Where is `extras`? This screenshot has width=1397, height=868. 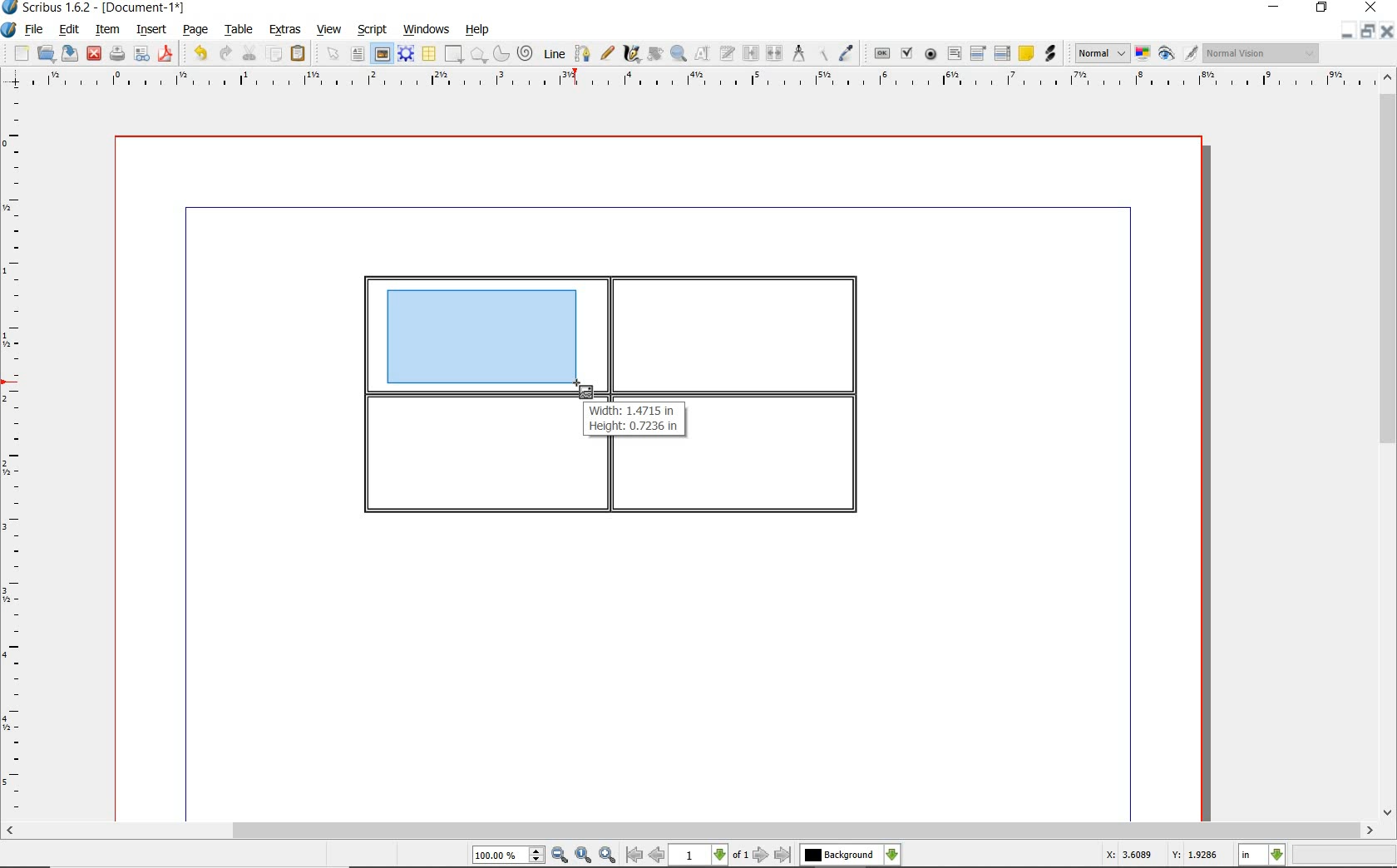
extras is located at coordinates (285, 30).